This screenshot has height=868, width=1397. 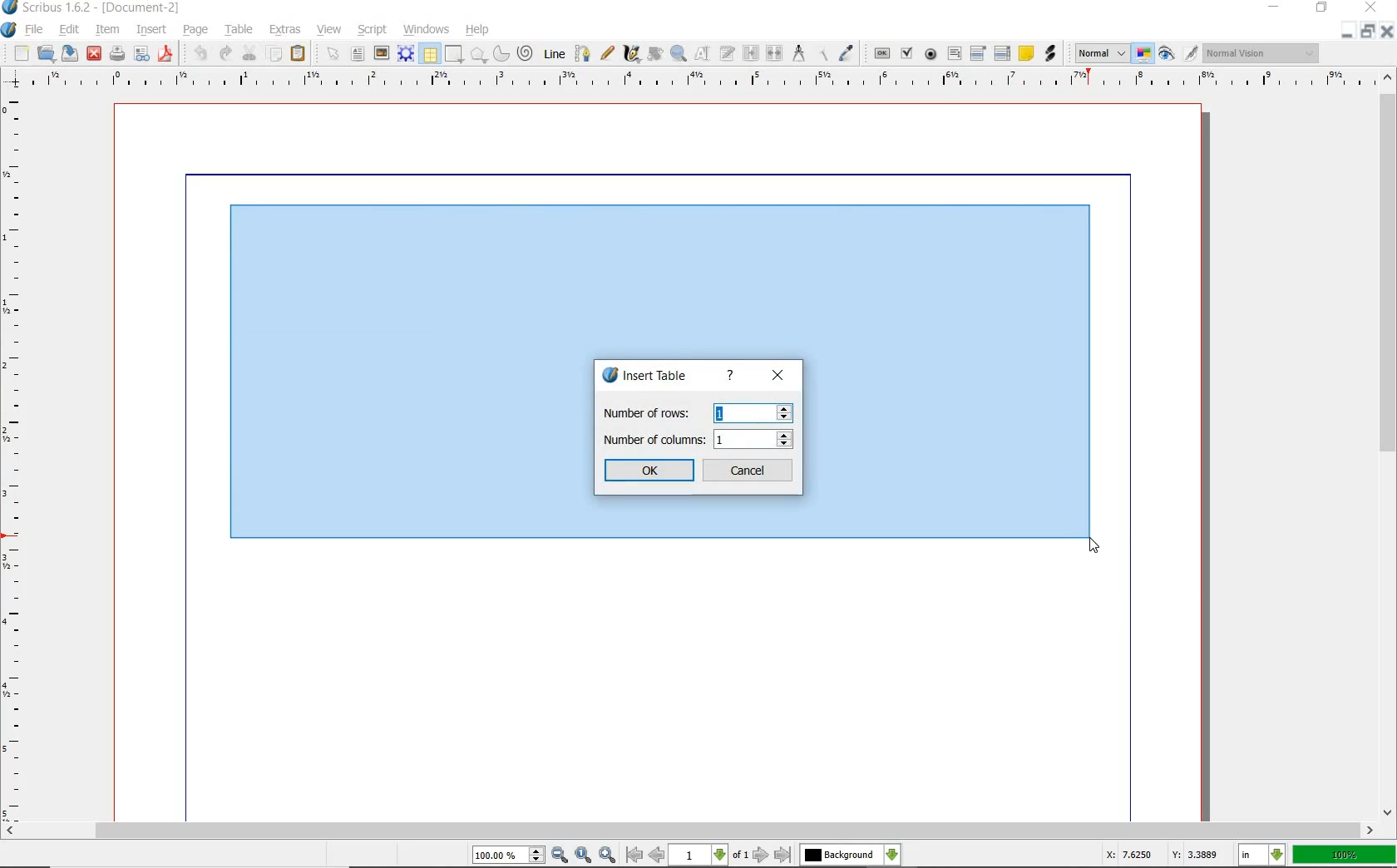 What do you see at coordinates (606, 856) in the screenshot?
I see `zoom in` at bounding box center [606, 856].